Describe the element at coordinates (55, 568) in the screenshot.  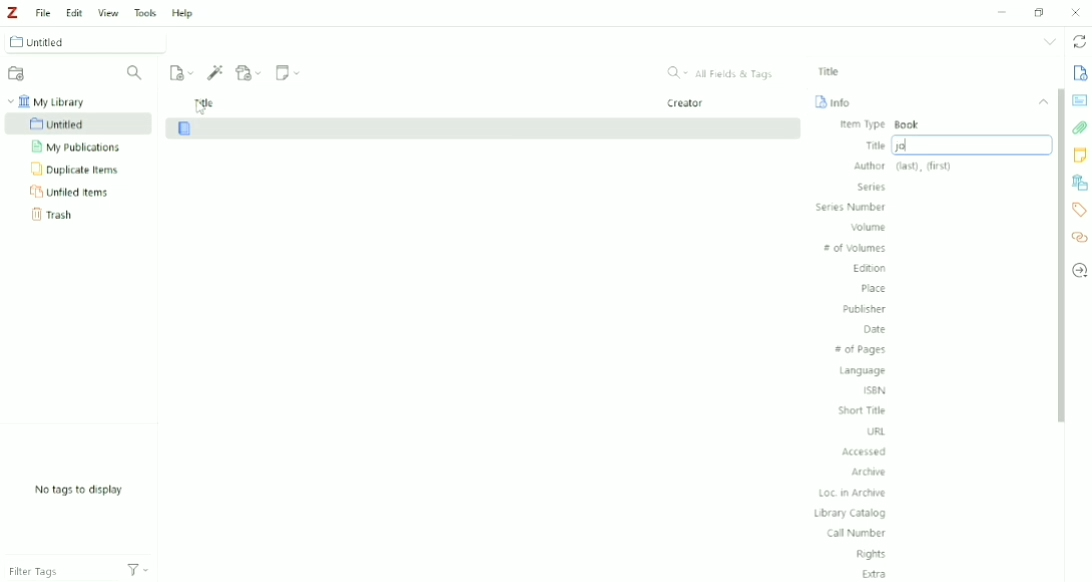
I see `Filter Tags` at that location.